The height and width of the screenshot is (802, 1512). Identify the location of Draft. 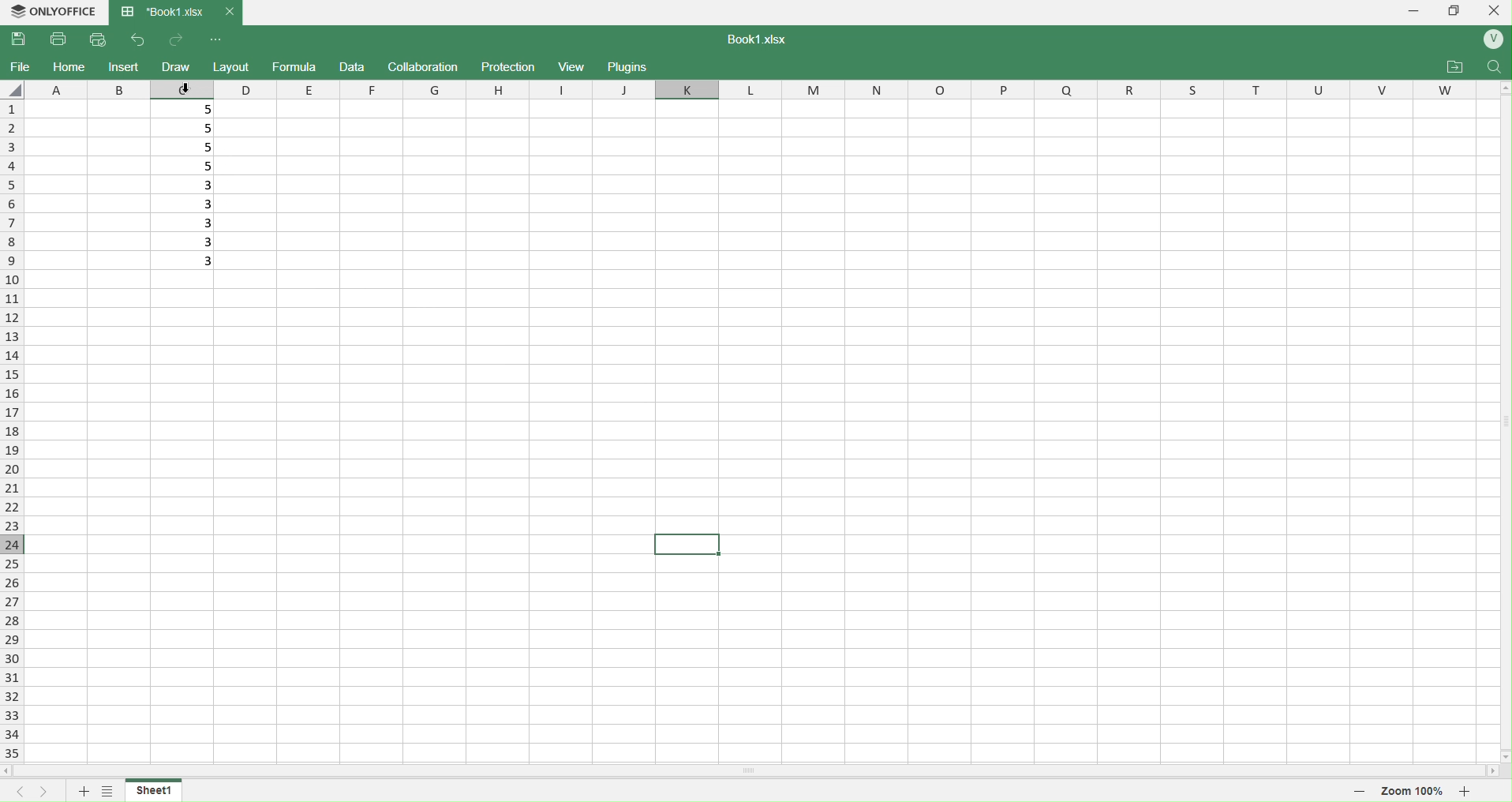
(351, 67).